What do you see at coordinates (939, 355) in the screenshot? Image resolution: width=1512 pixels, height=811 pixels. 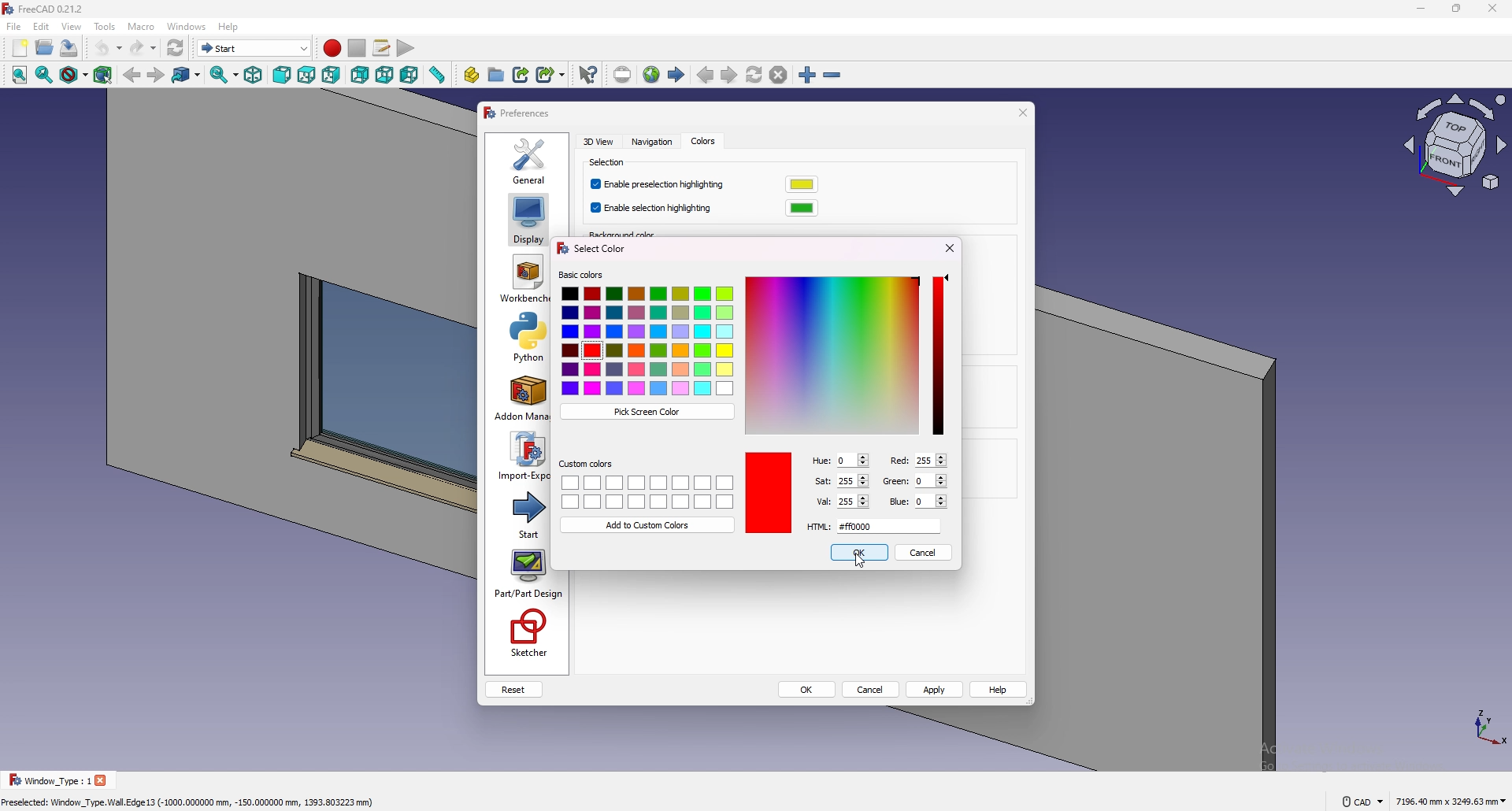 I see `vertical color slider` at bounding box center [939, 355].